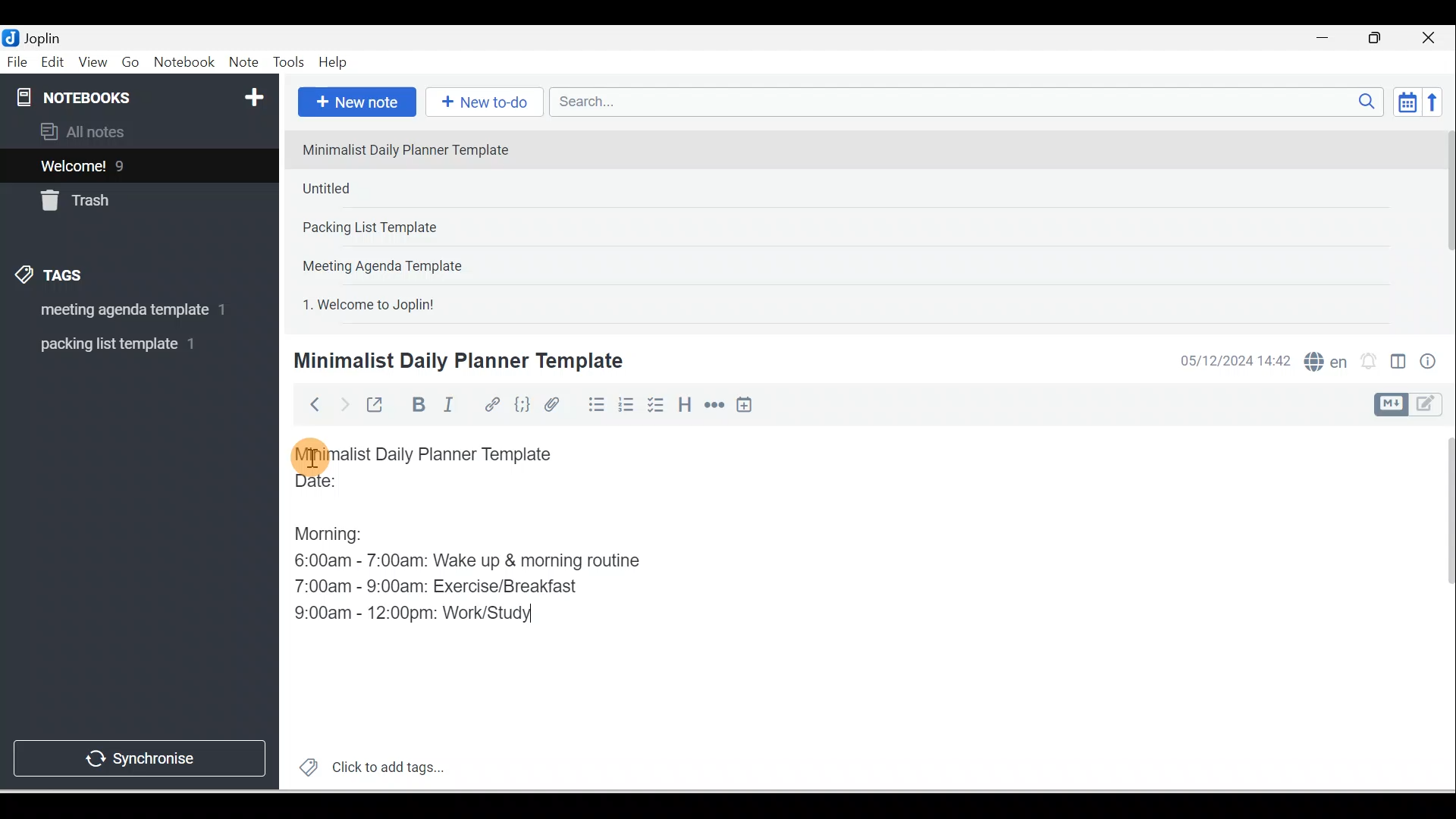 The width and height of the screenshot is (1456, 819). I want to click on Notes, so click(128, 162).